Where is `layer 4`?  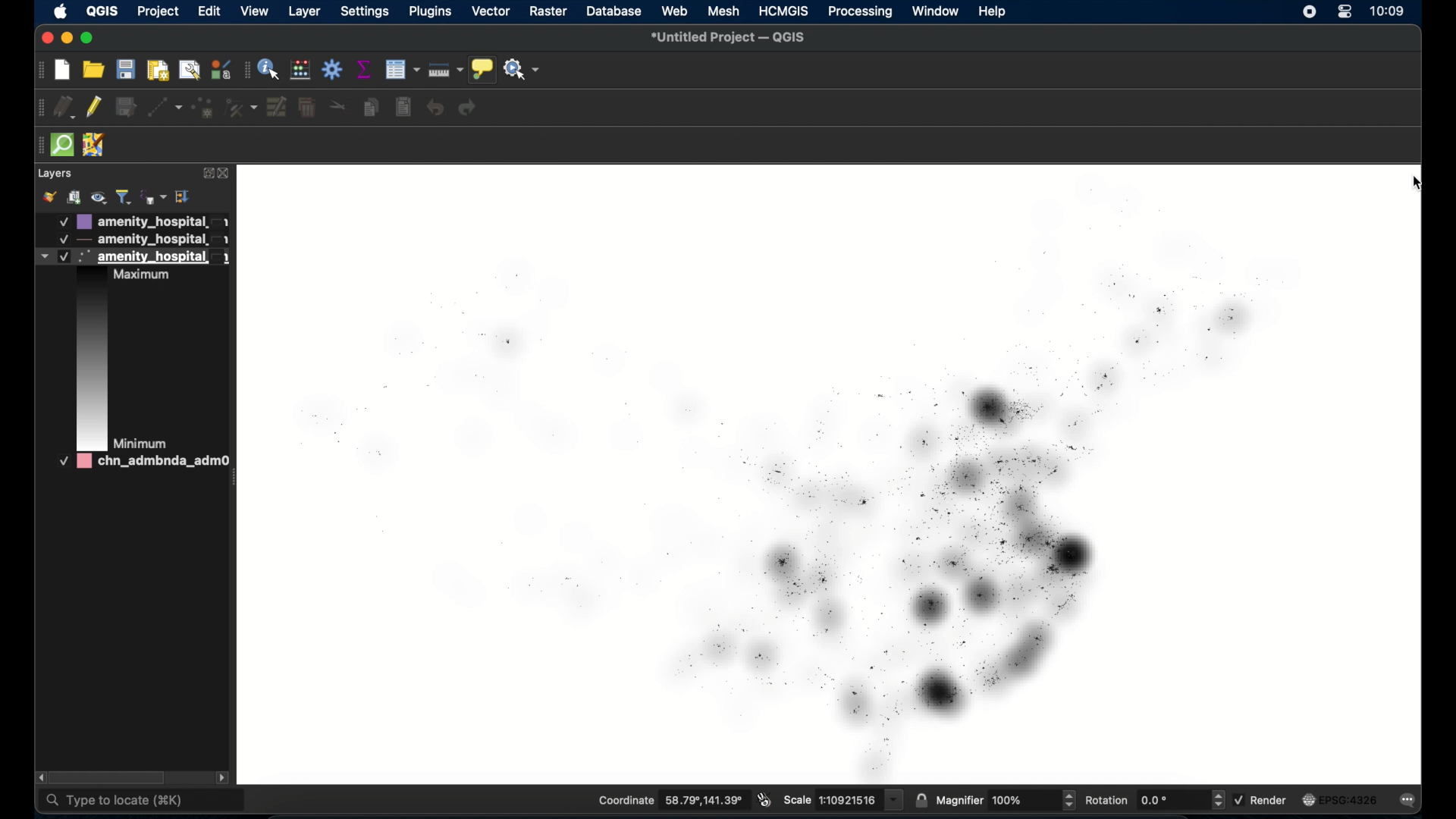 layer 4 is located at coordinates (136, 463).